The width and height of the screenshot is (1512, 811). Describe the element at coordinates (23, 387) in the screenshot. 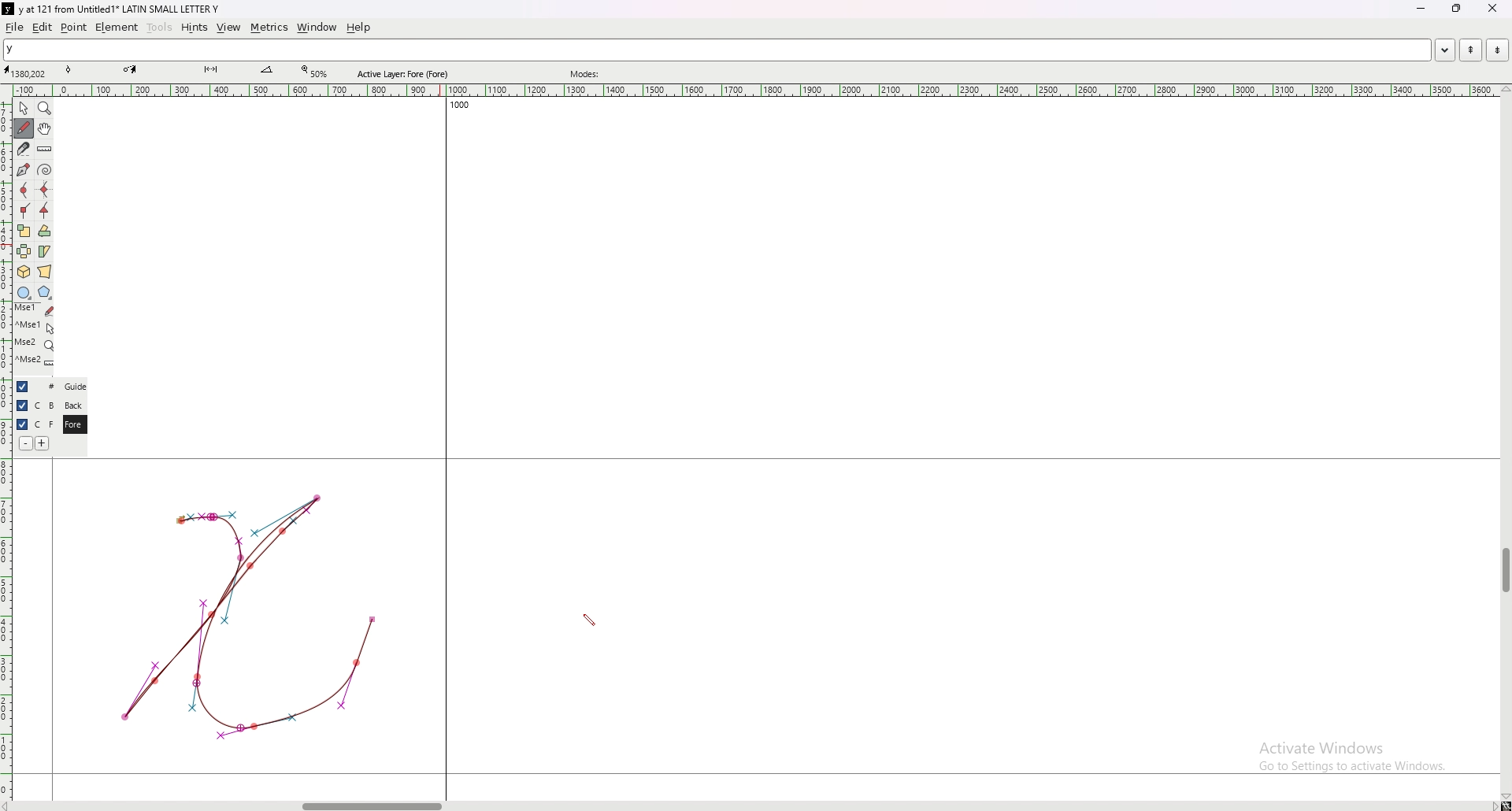

I see `hide layer` at that location.